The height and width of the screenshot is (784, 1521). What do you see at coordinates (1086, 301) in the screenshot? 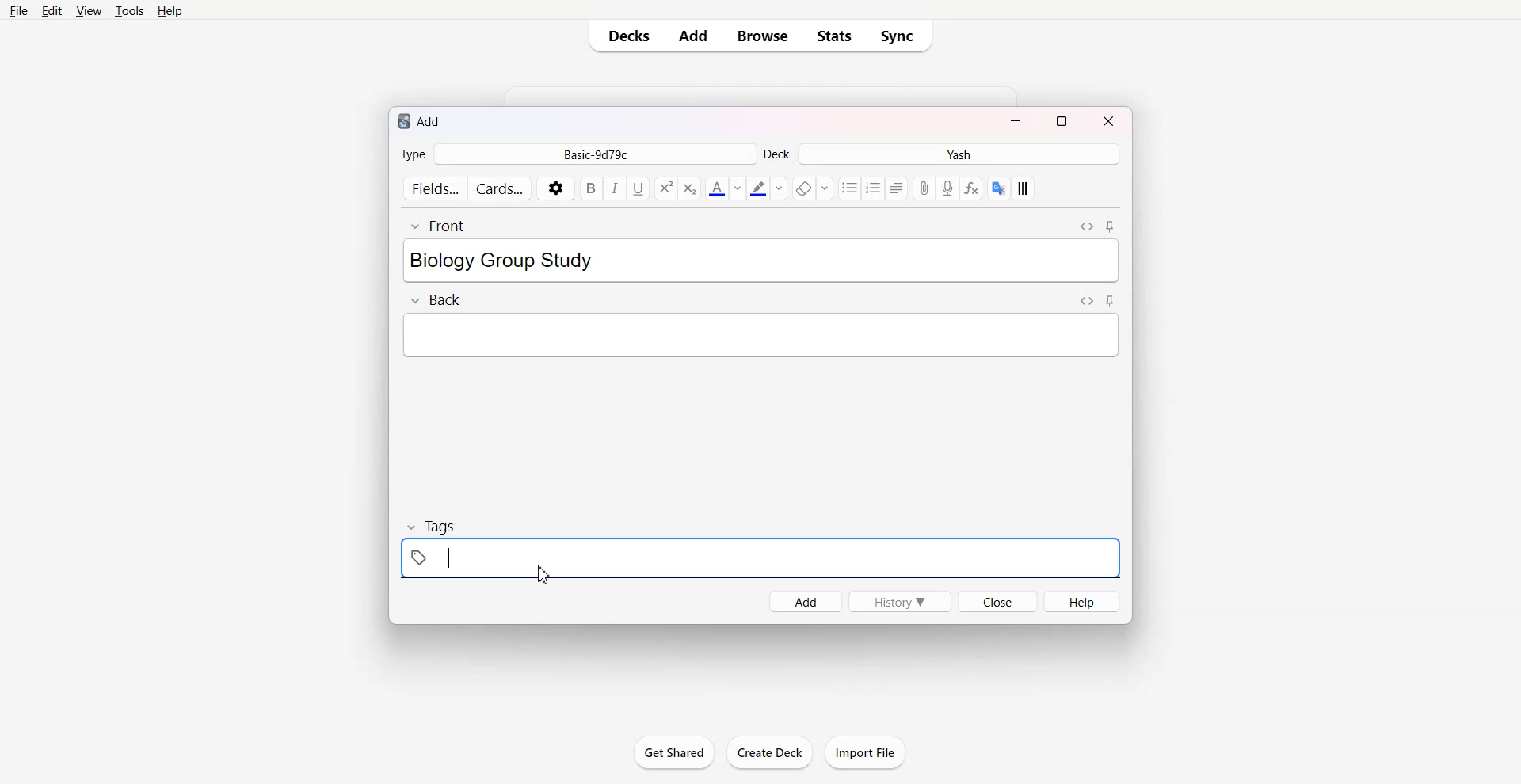
I see `Toggle HTML Editor` at bounding box center [1086, 301].